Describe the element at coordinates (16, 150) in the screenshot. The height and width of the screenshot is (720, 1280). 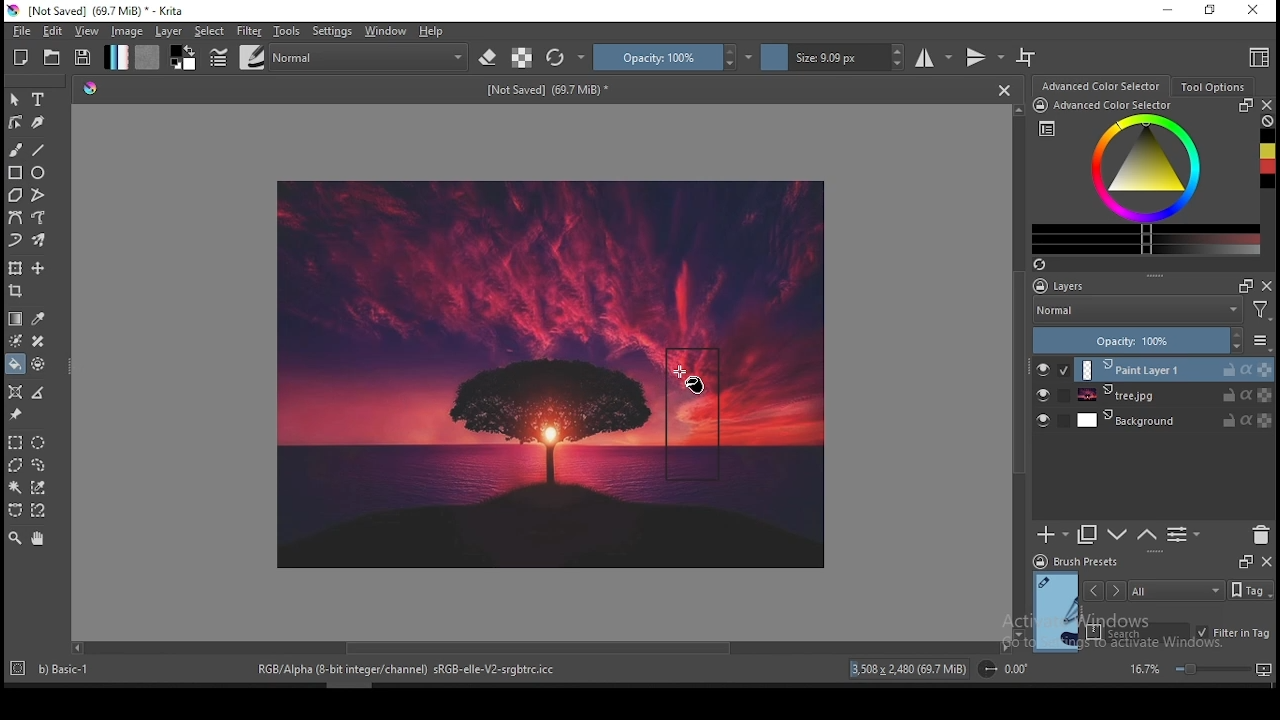
I see `brush tool` at that location.